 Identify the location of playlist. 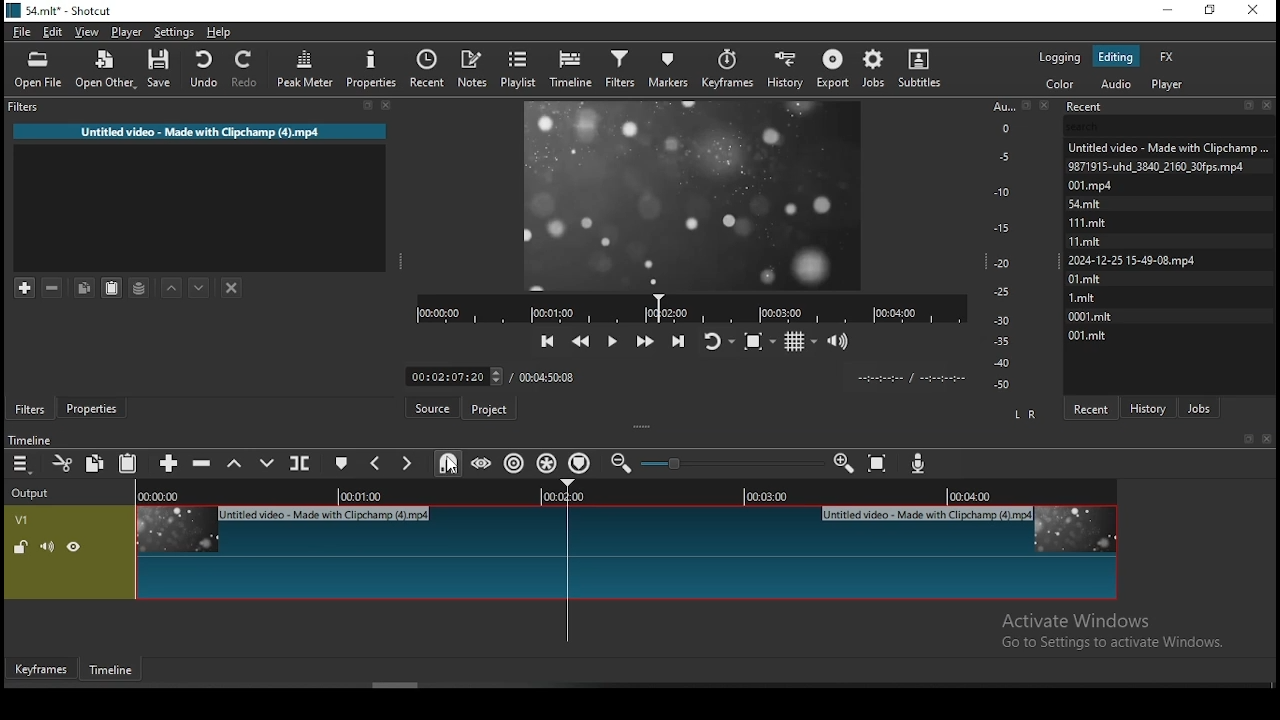
(517, 69).